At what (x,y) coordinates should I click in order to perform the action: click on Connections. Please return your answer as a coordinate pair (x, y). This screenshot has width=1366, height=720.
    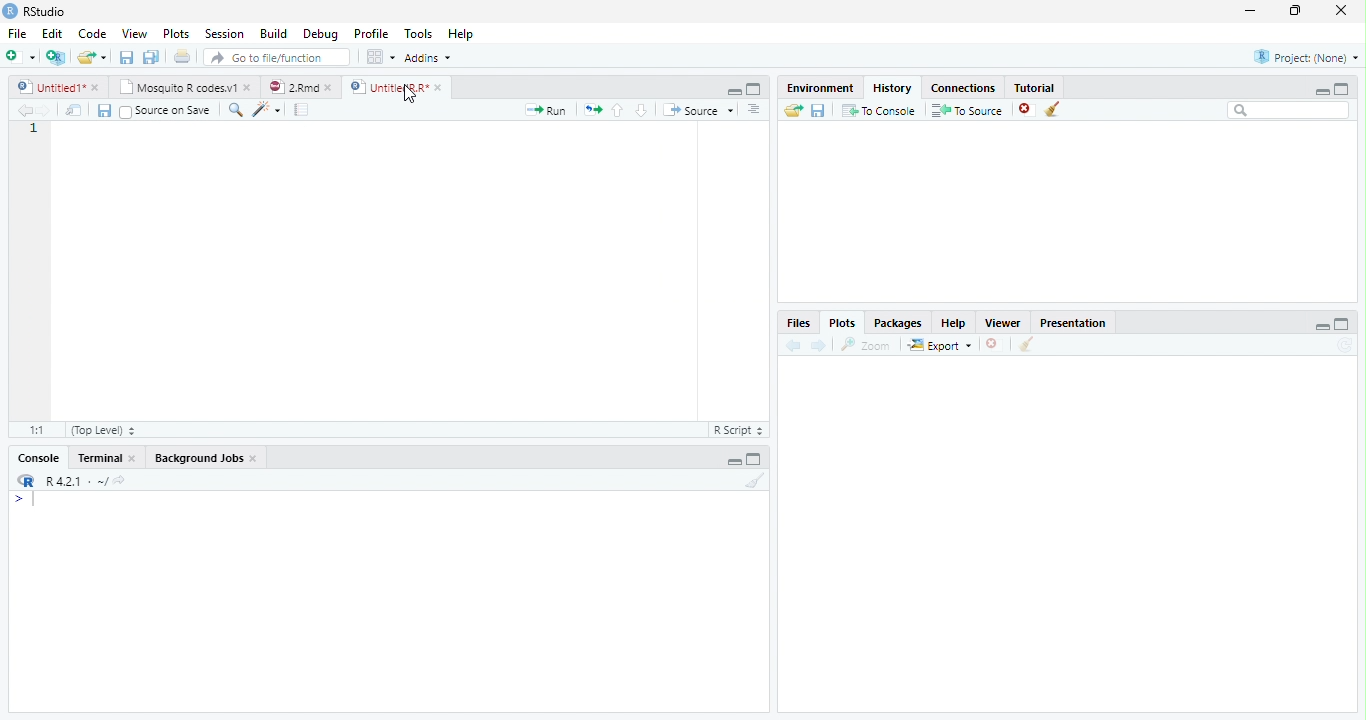
    Looking at the image, I should click on (963, 88).